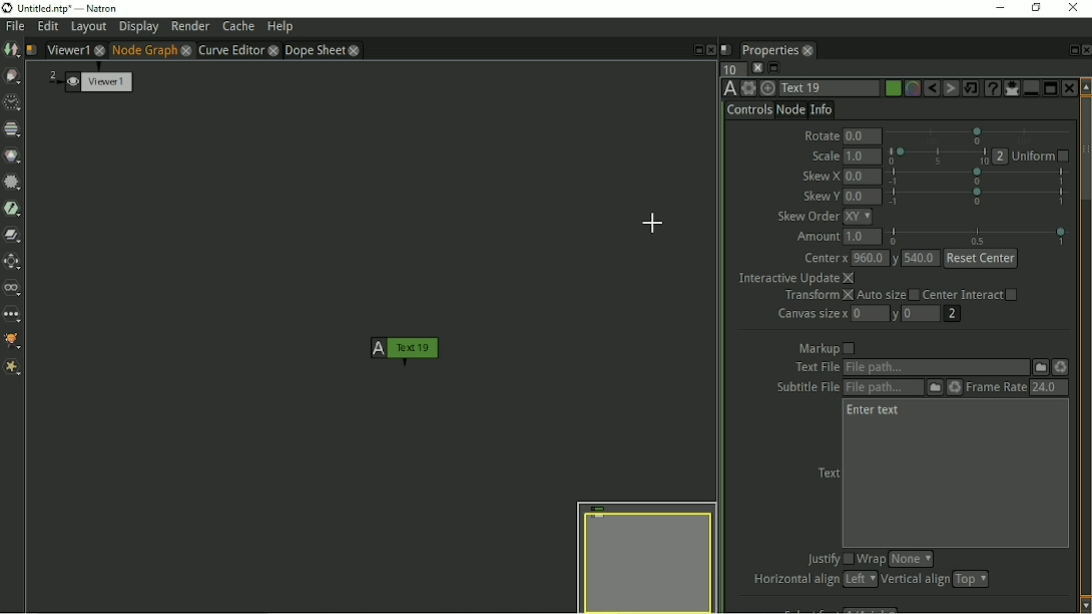  What do you see at coordinates (48, 27) in the screenshot?
I see `Edit` at bounding box center [48, 27].